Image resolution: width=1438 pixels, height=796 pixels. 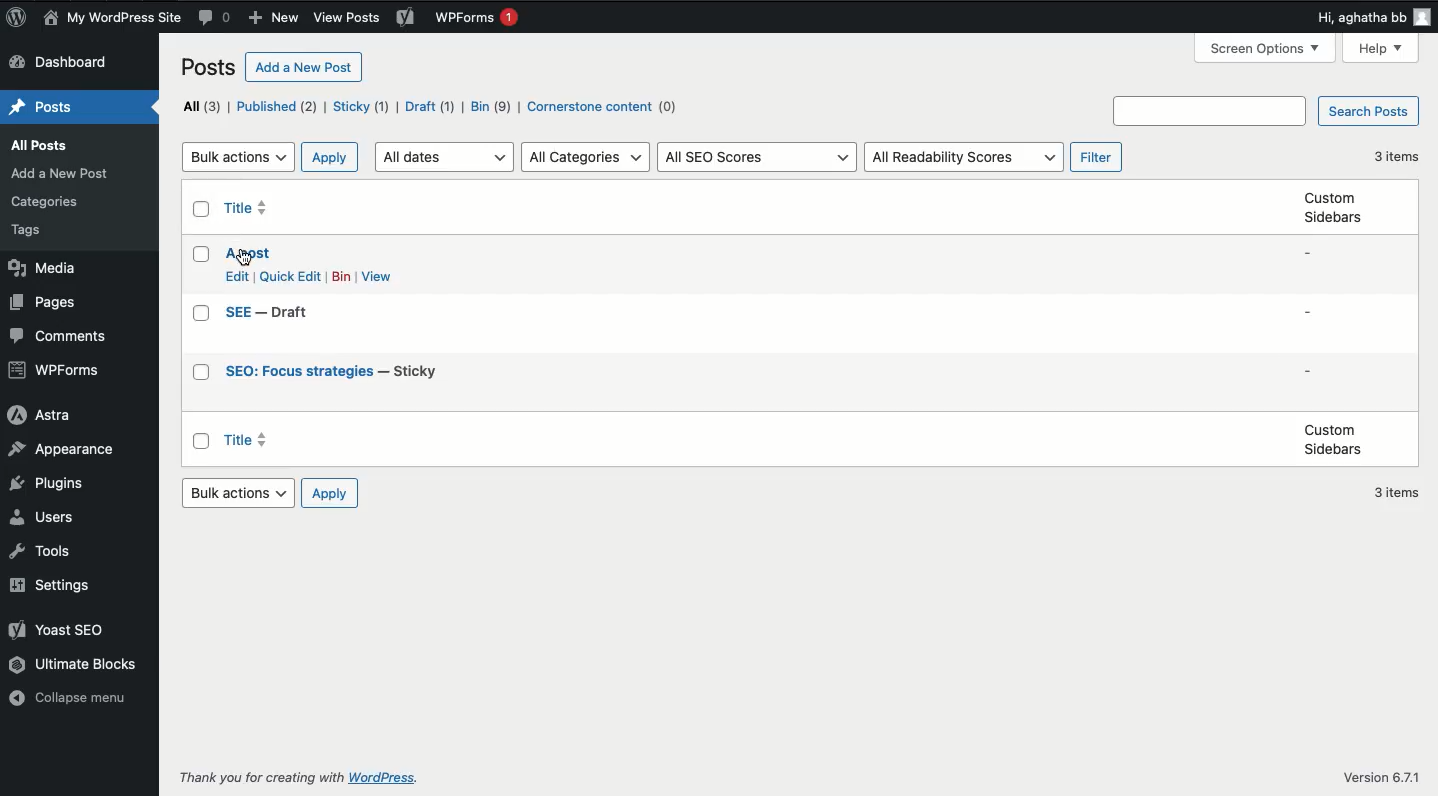 I want to click on Draft, so click(x=430, y=106).